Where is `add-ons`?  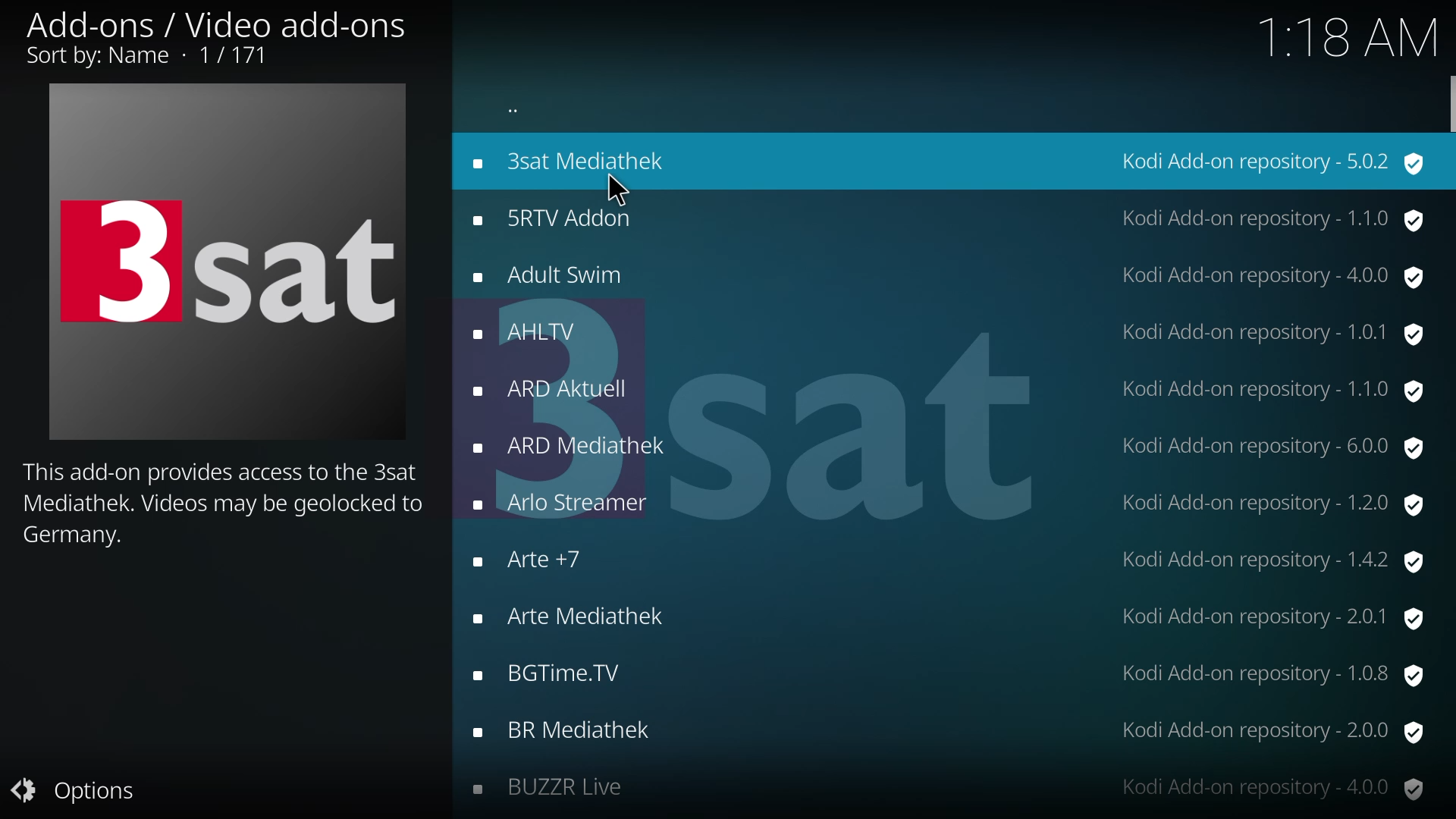 add-ons is located at coordinates (533, 557).